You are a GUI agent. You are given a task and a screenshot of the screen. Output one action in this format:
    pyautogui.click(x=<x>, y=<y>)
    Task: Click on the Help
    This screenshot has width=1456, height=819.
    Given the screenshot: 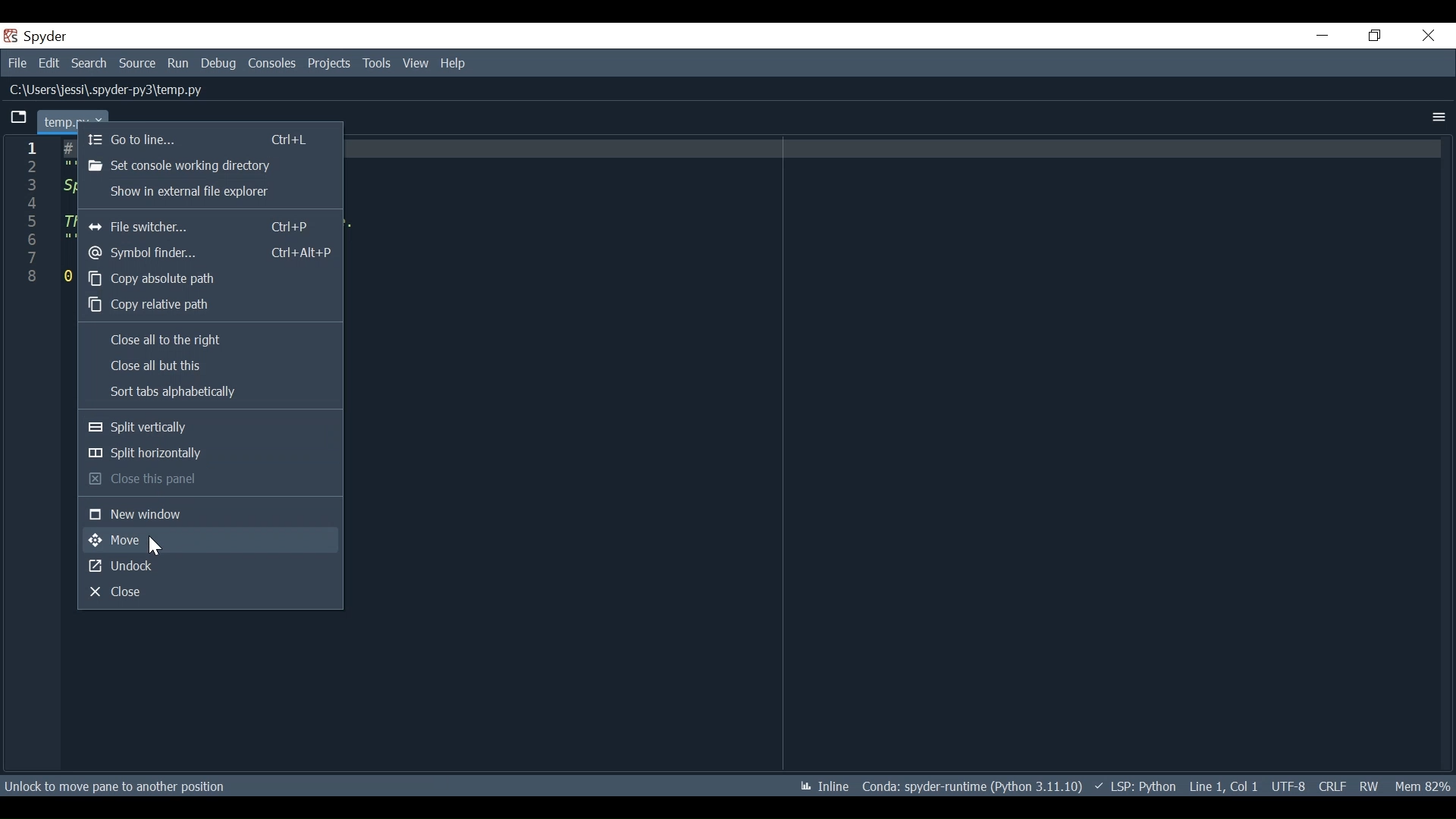 What is the action you would take?
    pyautogui.click(x=453, y=64)
    